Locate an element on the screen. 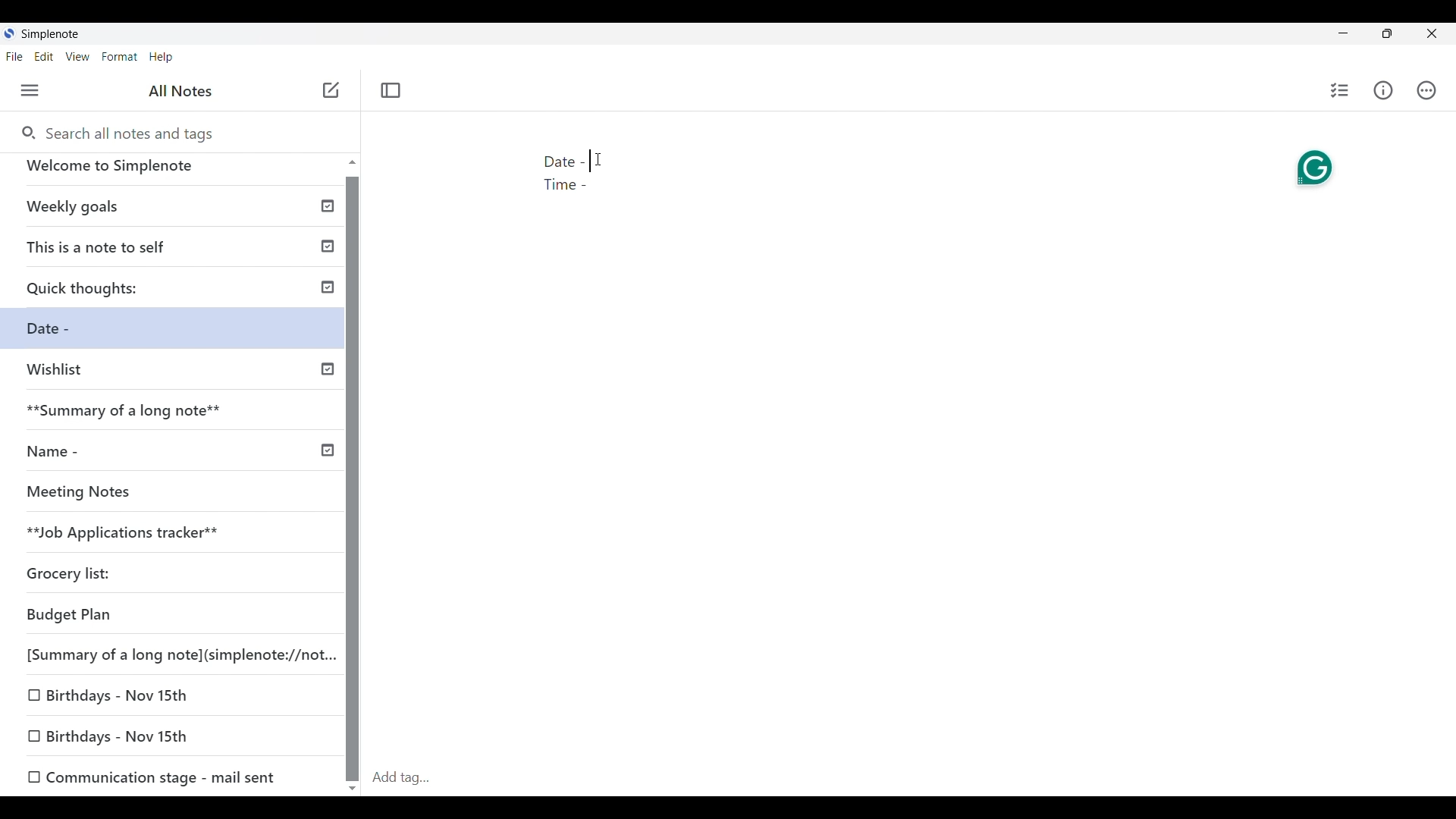  Unpublished note is located at coordinates (66, 331).